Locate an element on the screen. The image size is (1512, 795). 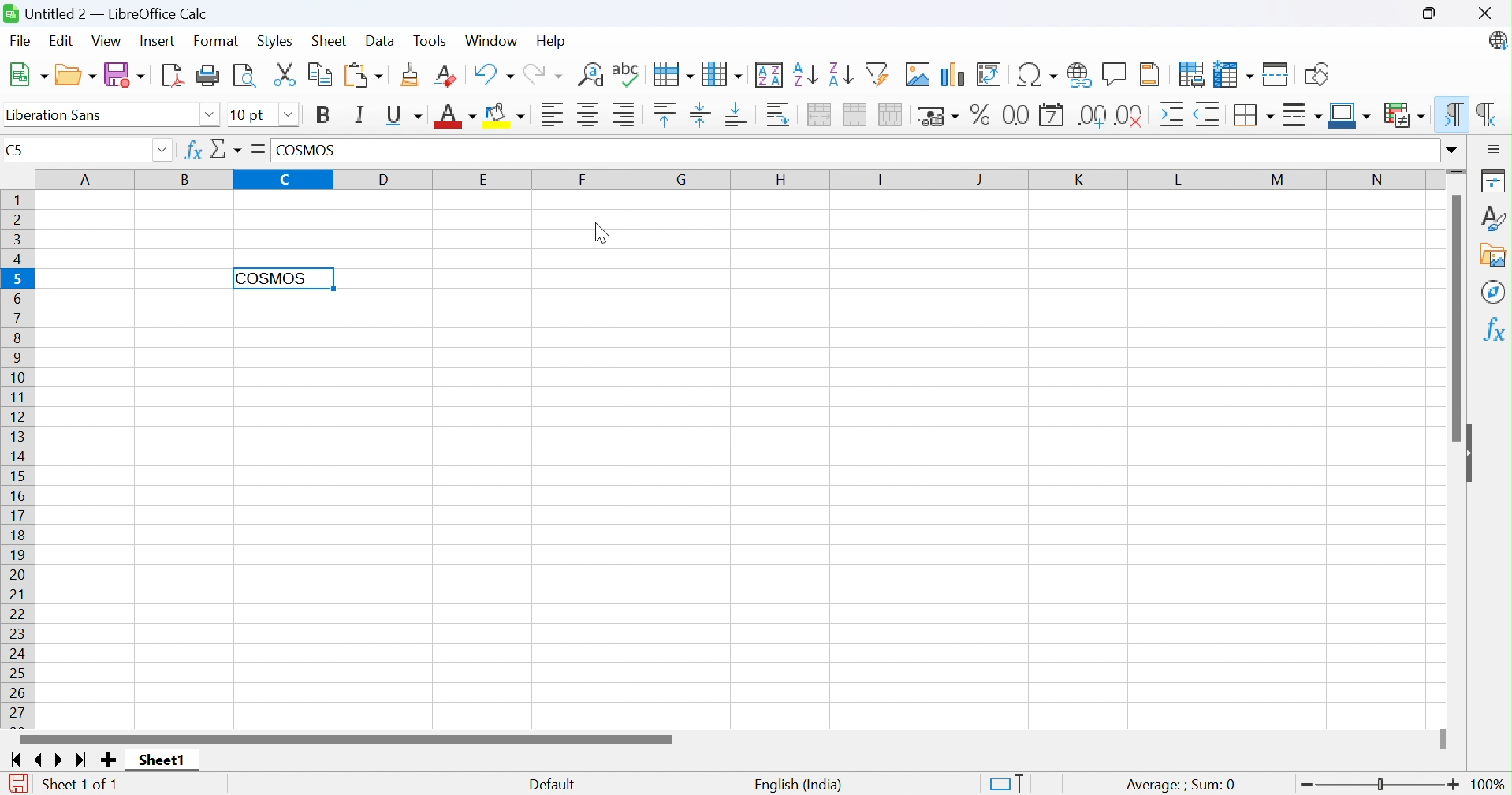
Hide is located at coordinates (1472, 450).